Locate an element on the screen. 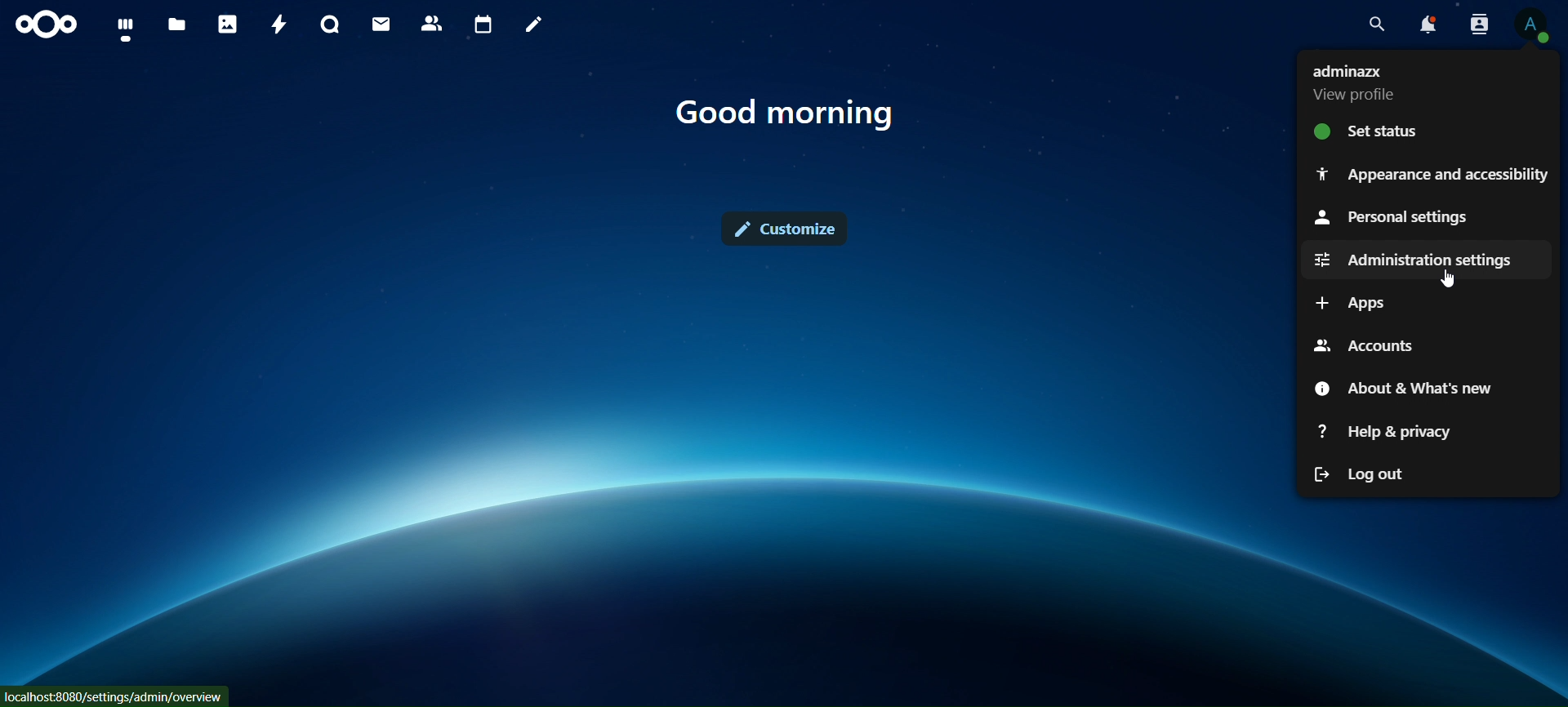  talk is located at coordinates (330, 23).